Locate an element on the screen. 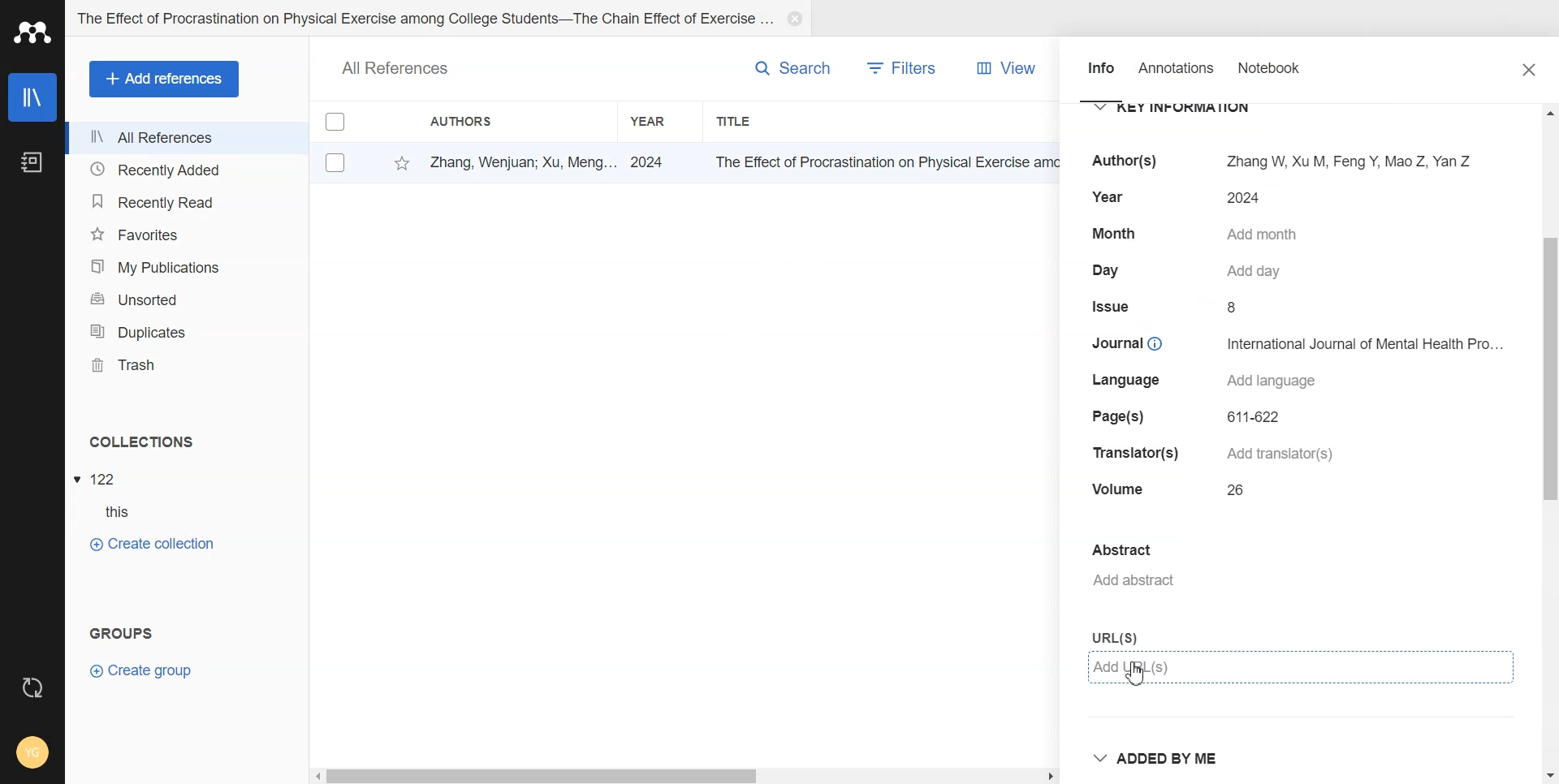 Image resolution: width=1559 pixels, height=784 pixels. Search is located at coordinates (777, 68).